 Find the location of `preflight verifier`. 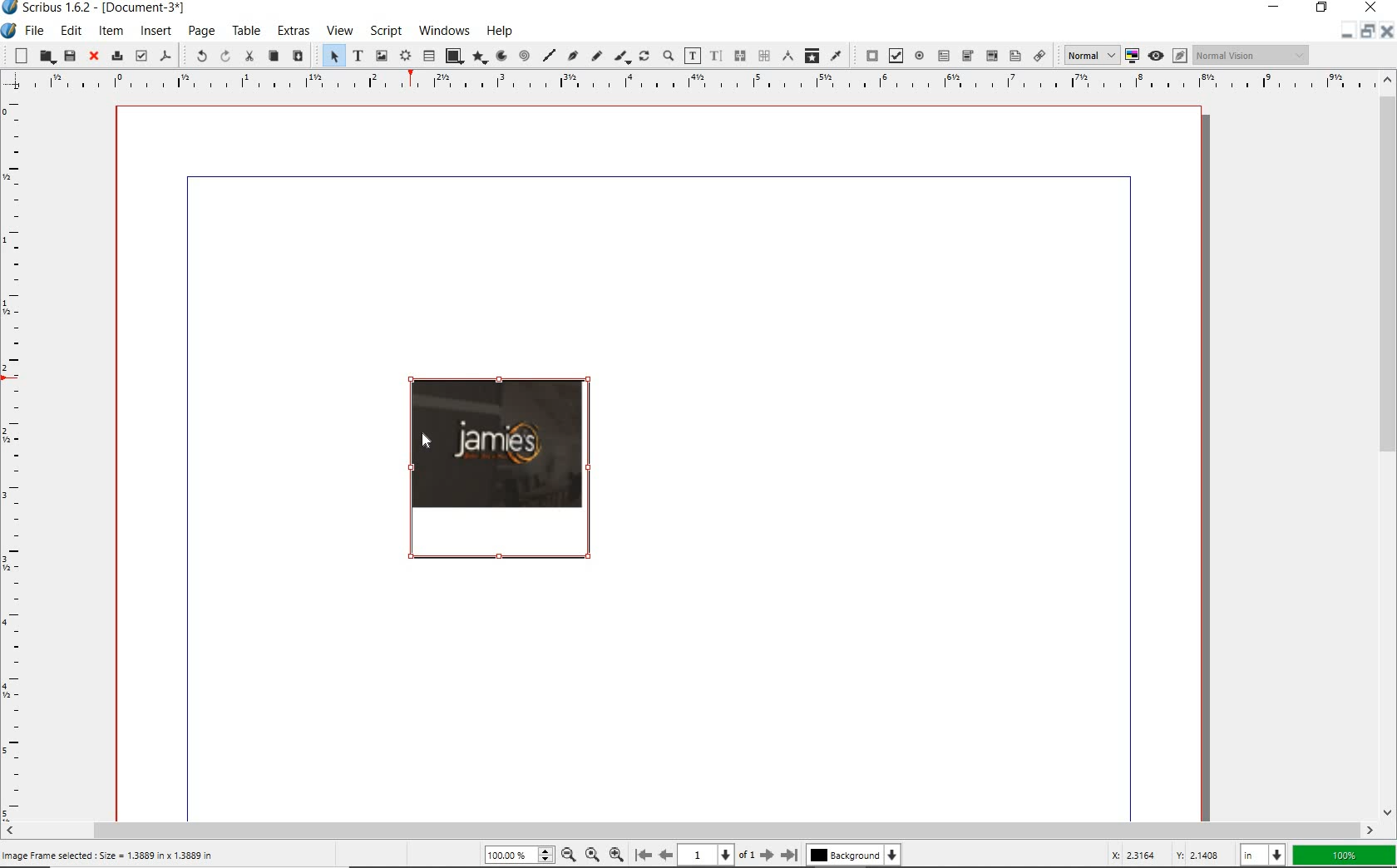

preflight verifier is located at coordinates (140, 55).